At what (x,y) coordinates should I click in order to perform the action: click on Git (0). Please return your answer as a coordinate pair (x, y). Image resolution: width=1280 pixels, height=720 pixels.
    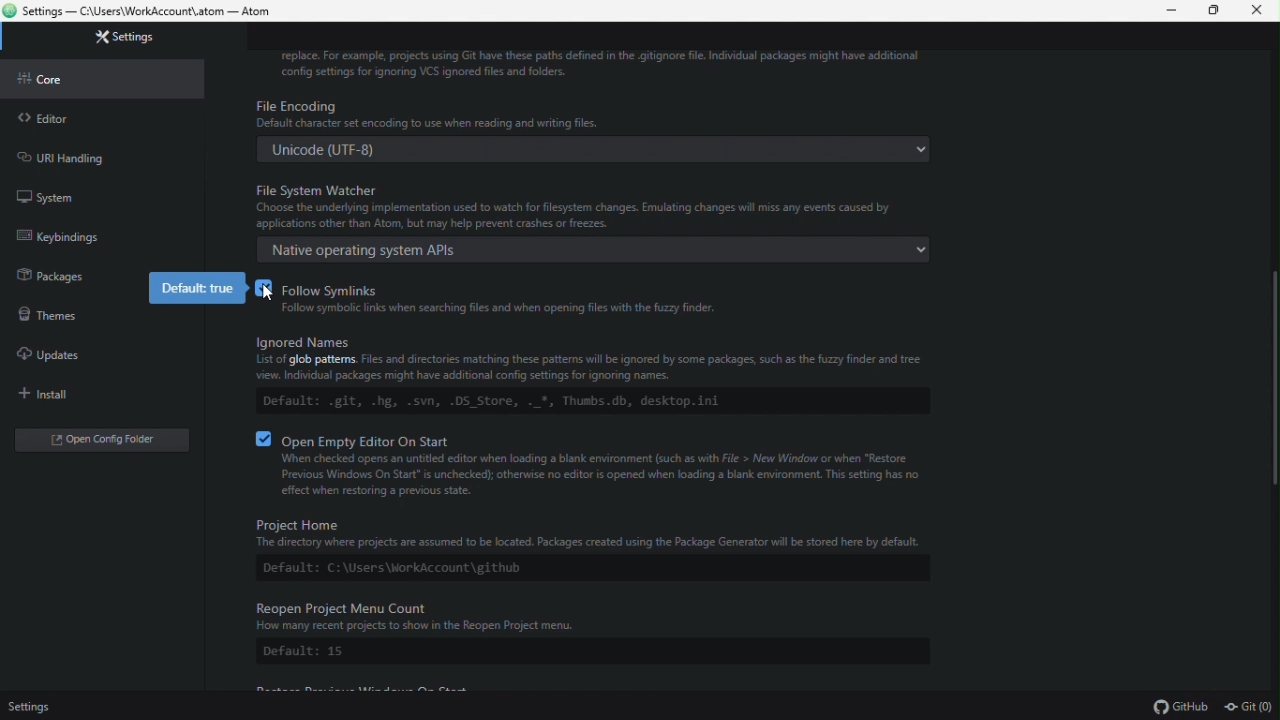
    Looking at the image, I should click on (1248, 708).